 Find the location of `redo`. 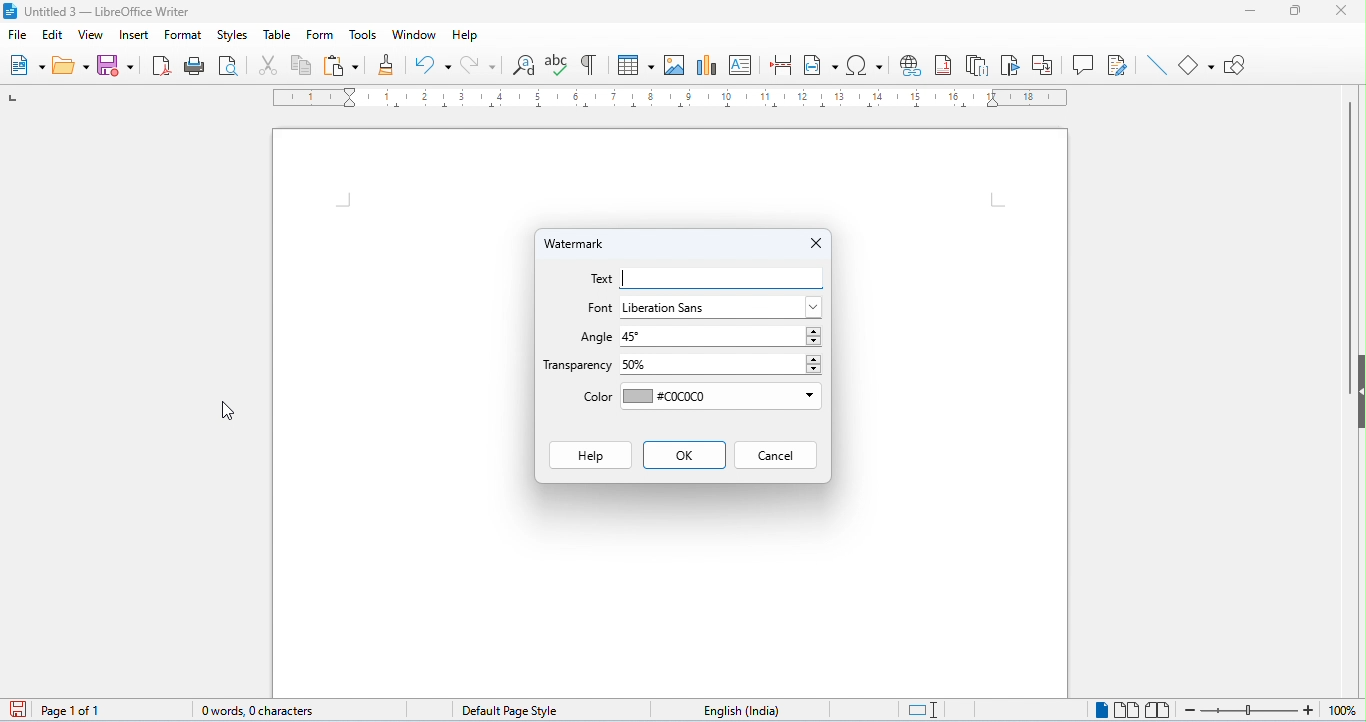

redo is located at coordinates (479, 65).